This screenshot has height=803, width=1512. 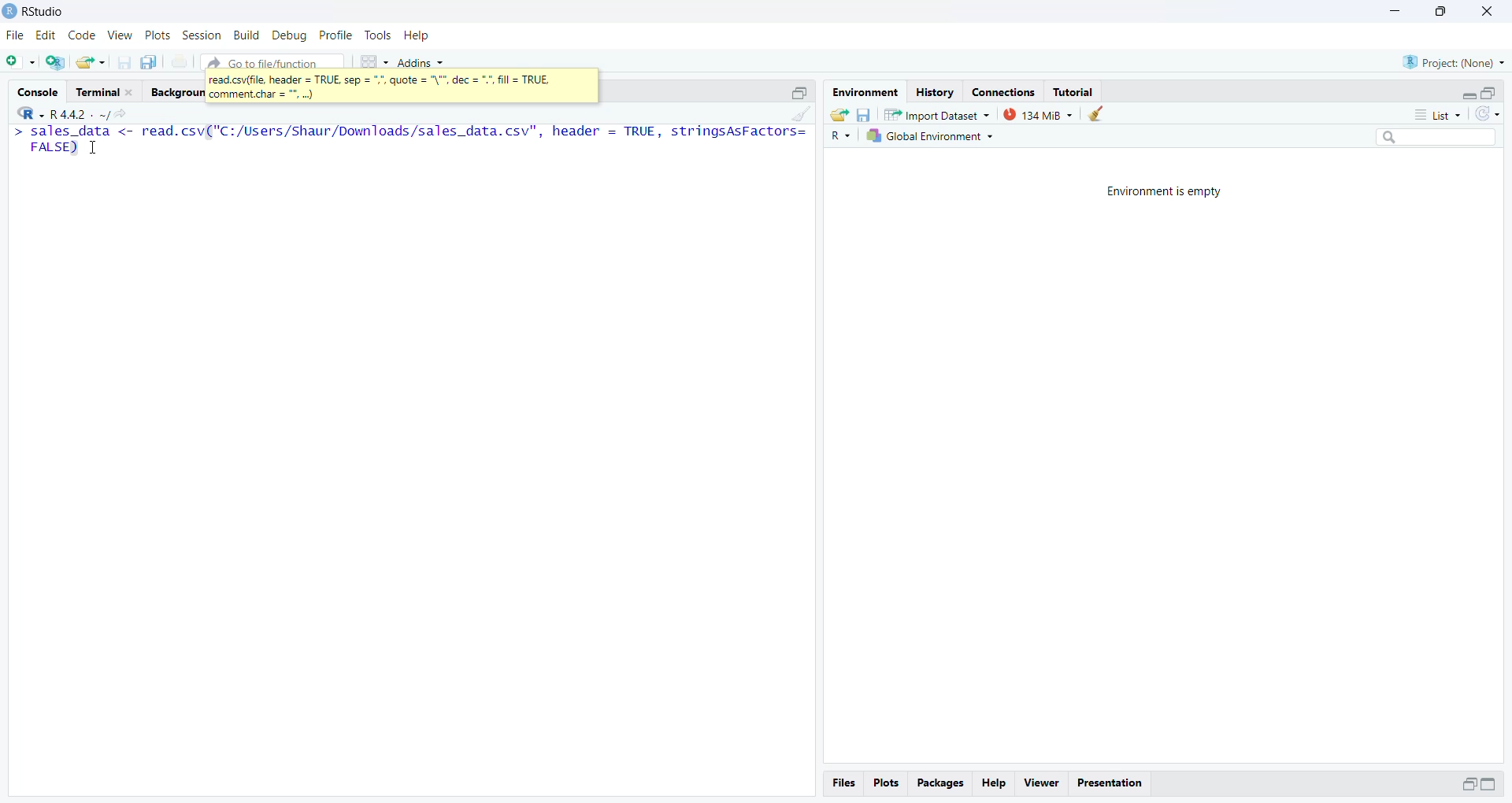 What do you see at coordinates (178, 64) in the screenshot?
I see `Print the current file` at bounding box center [178, 64].